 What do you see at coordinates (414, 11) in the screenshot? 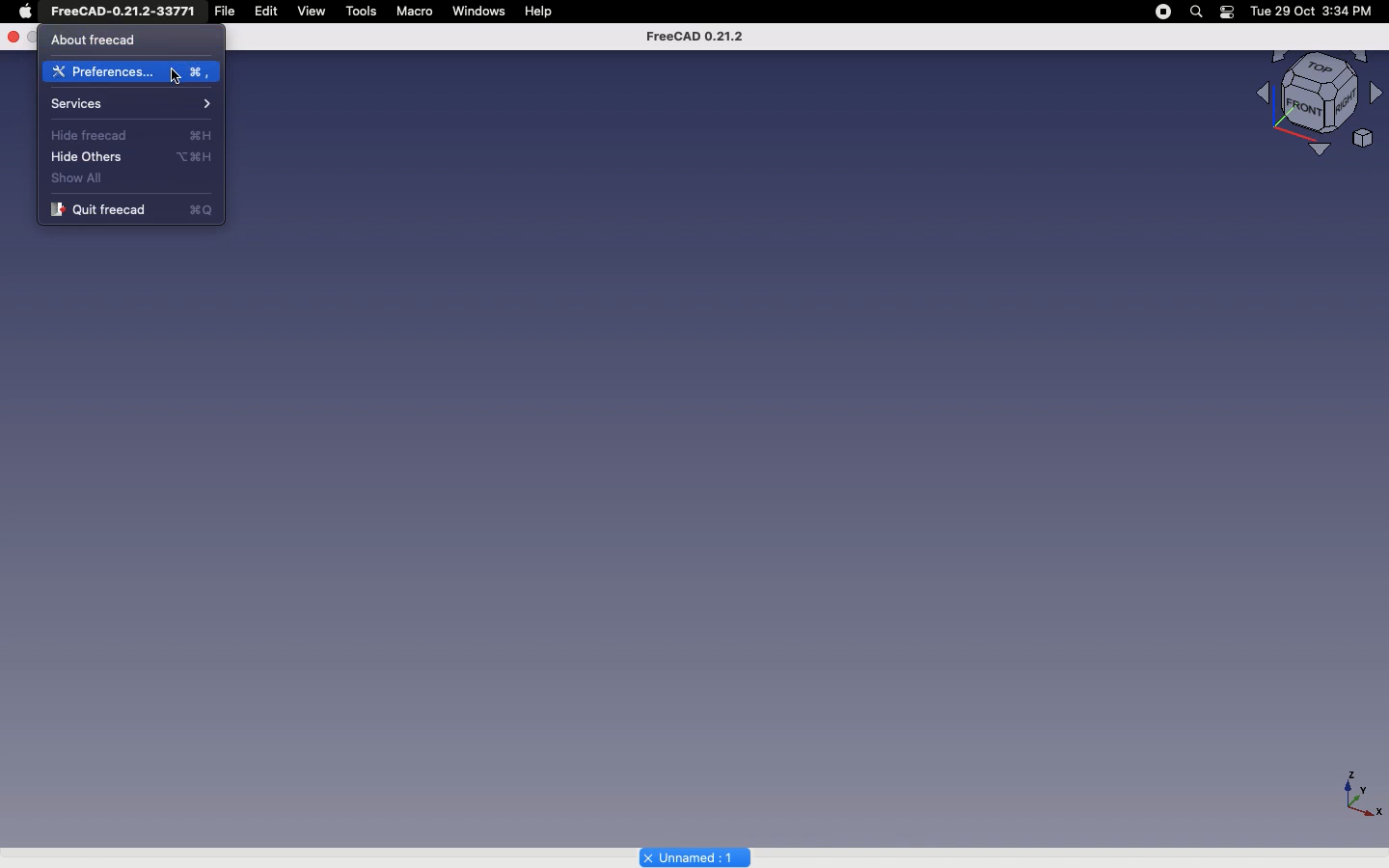
I see `Macro` at bounding box center [414, 11].